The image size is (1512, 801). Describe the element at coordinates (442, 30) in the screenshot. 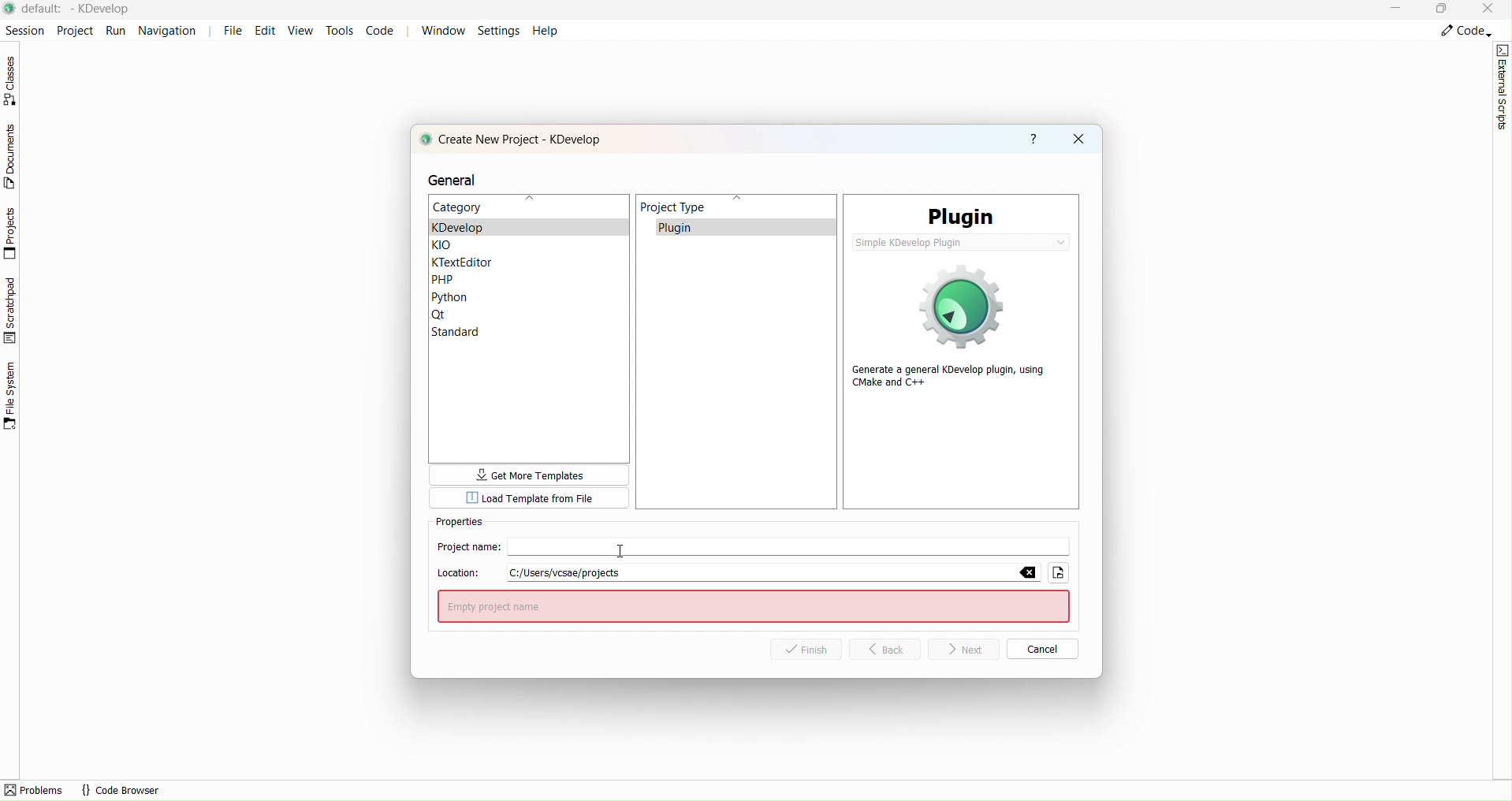

I see `Window` at that location.